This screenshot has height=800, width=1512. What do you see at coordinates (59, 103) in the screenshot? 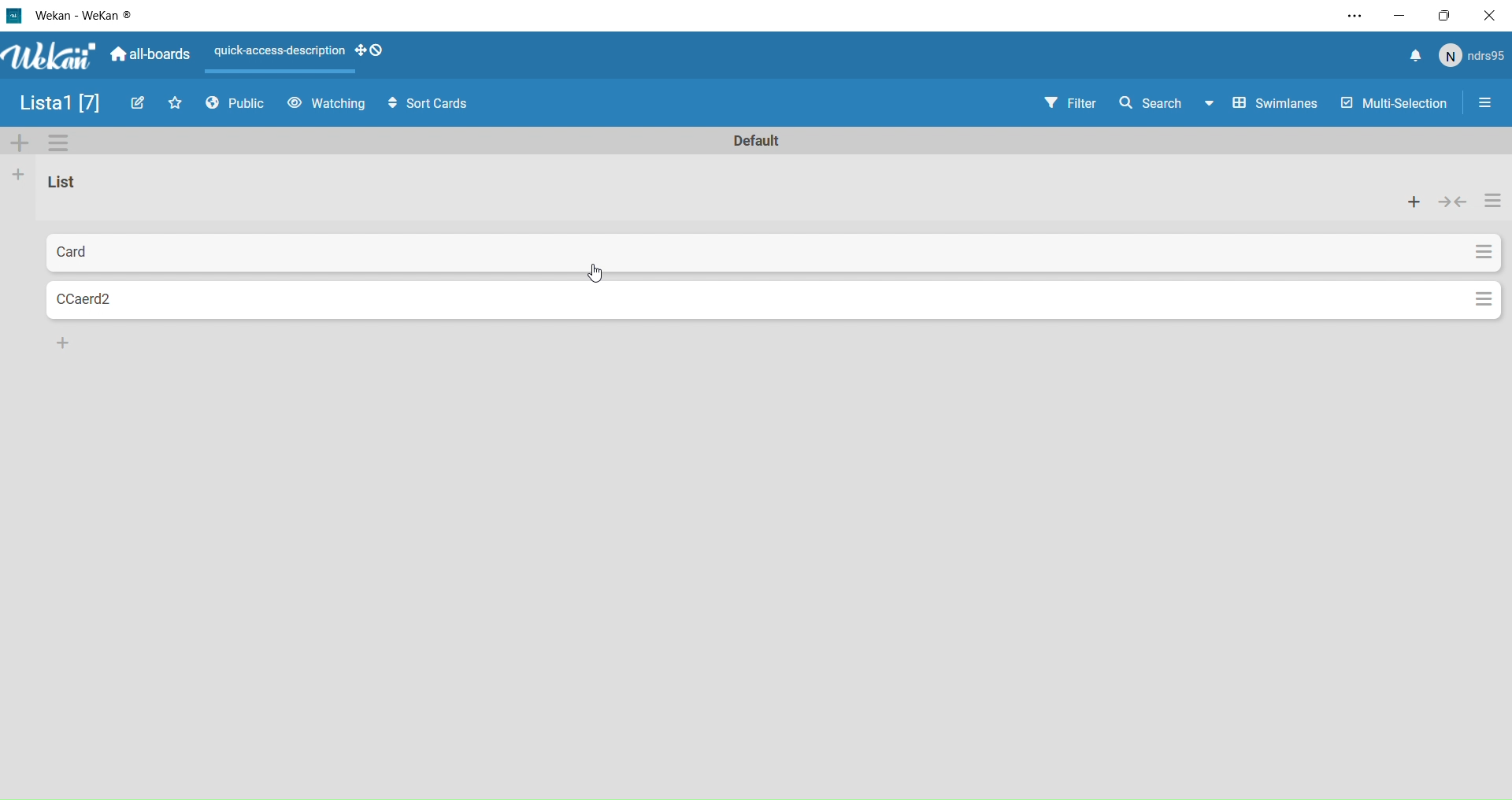
I see `Name` at bounding box center [59, 103].